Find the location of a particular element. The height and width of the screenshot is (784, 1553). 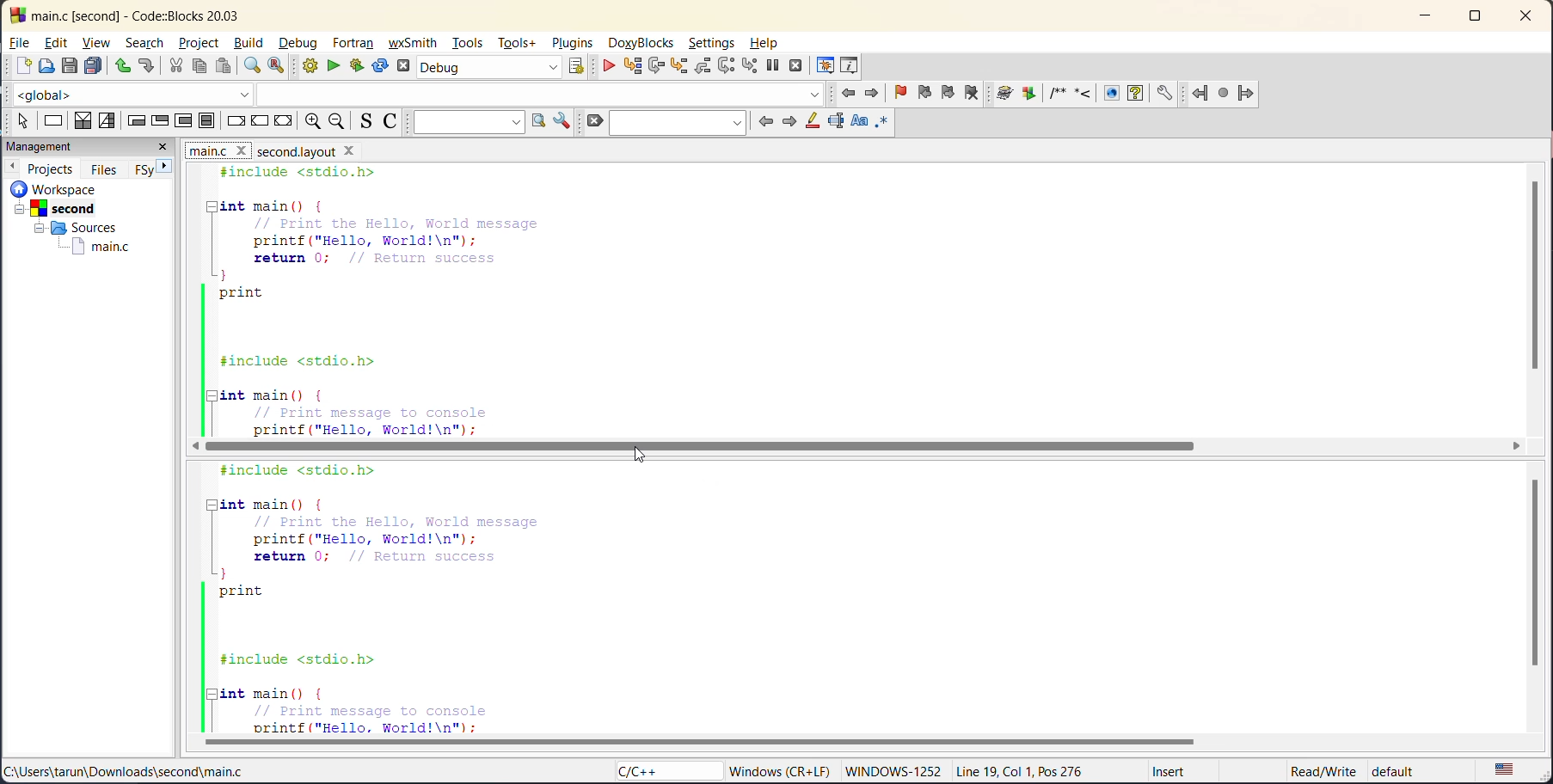

break instruction is located at coordinates (233, 121).